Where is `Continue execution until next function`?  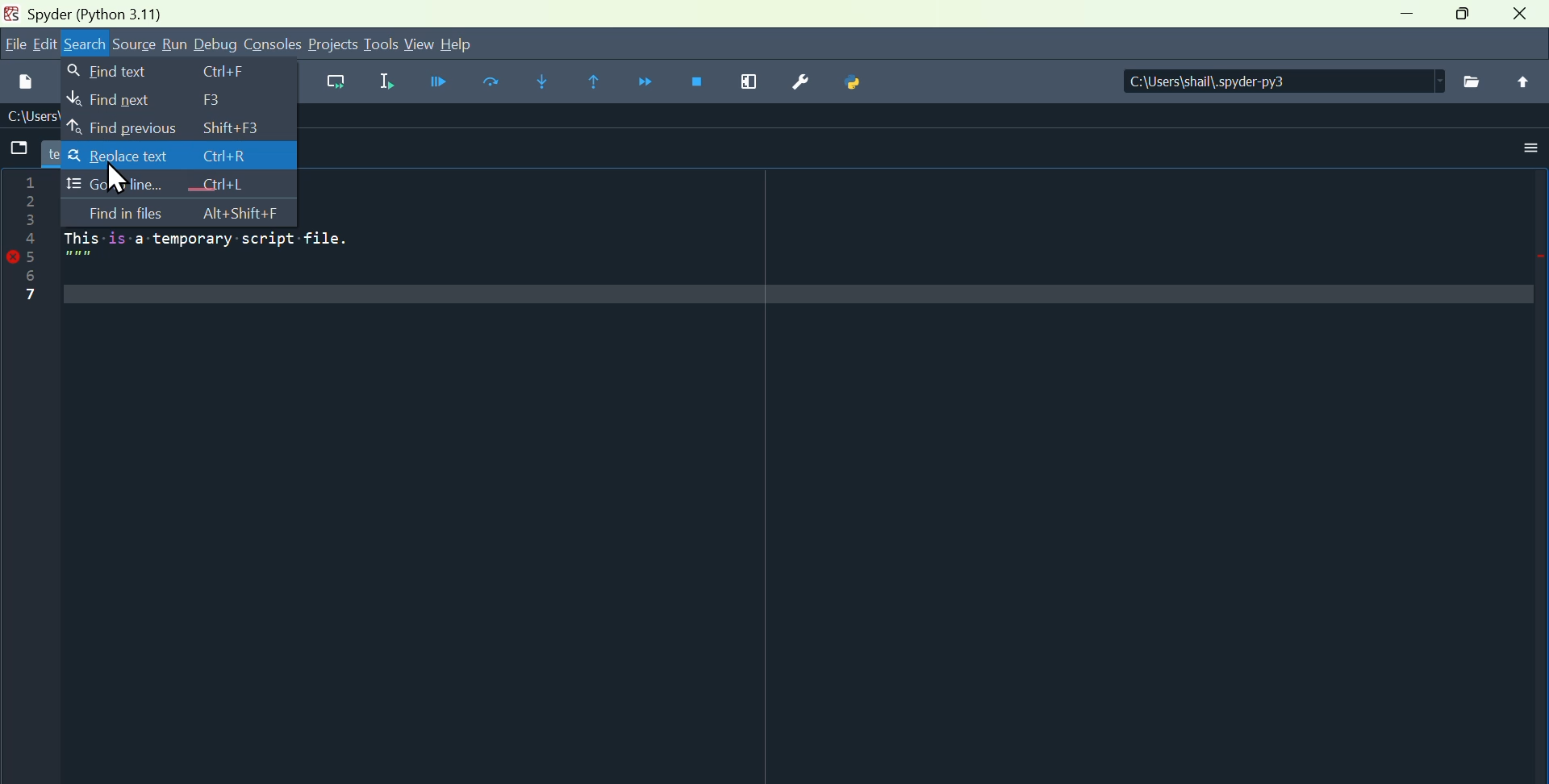
Continue execution until next function is located at coordinates (649, 81).